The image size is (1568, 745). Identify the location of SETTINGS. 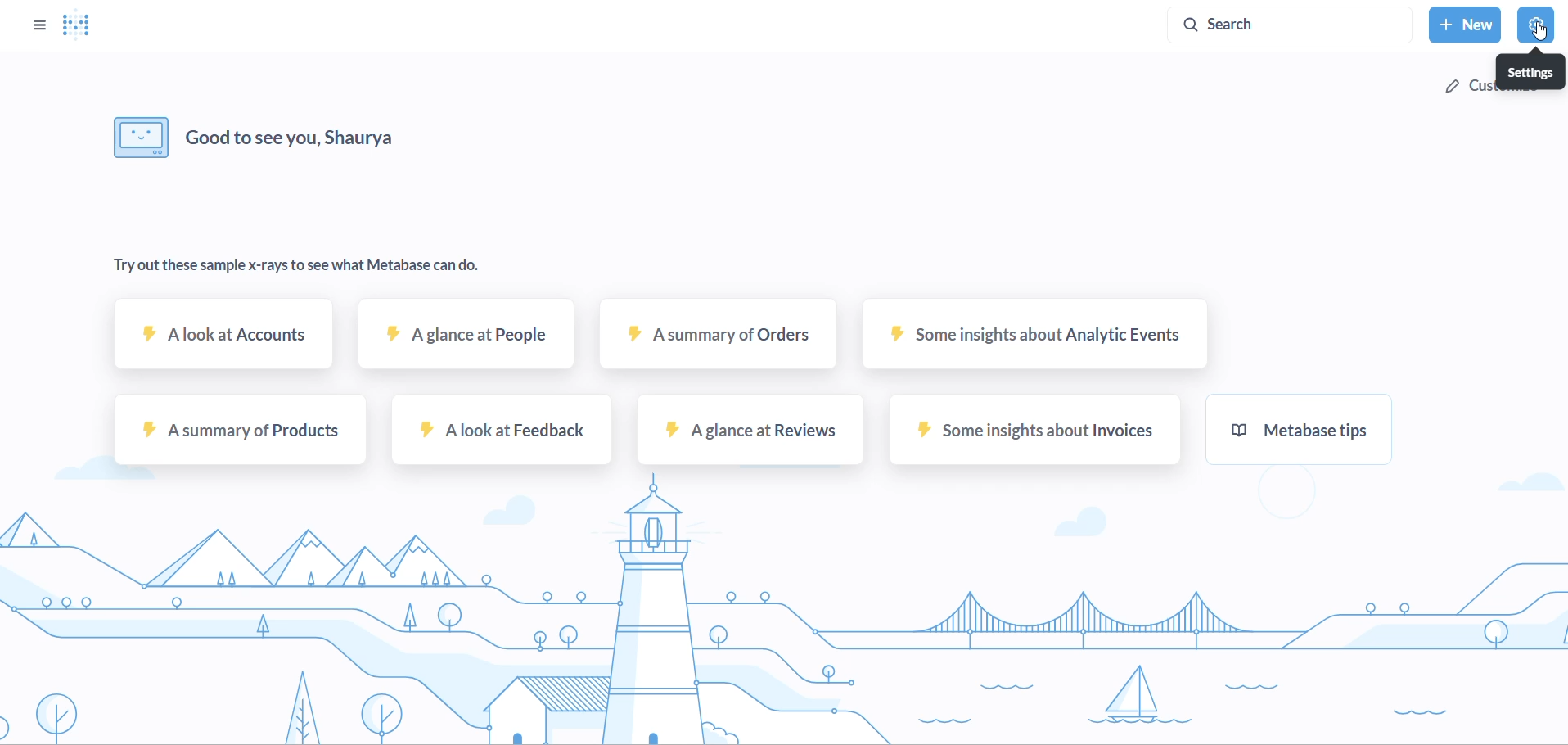
(1541, 22).